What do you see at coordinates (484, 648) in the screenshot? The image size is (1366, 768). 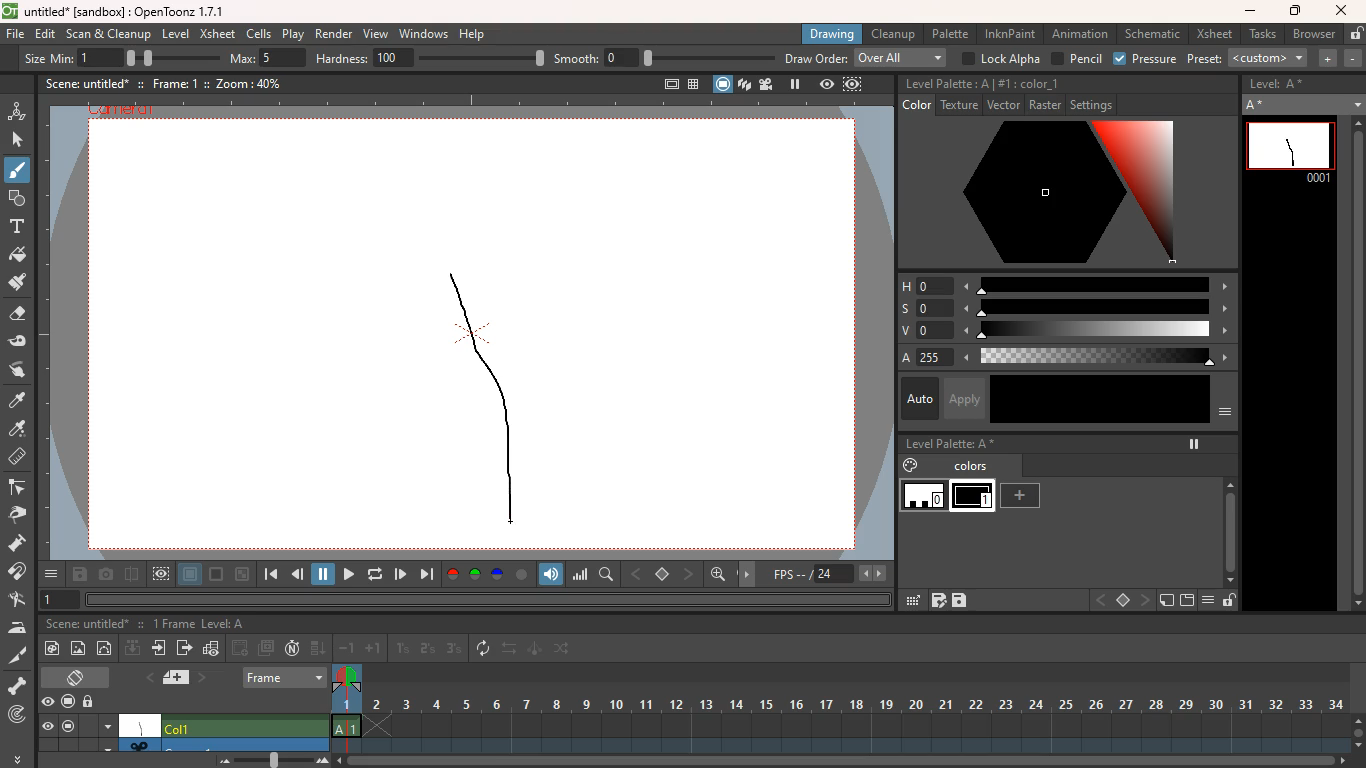 I see `refresh` at bounding box center [484, 648].